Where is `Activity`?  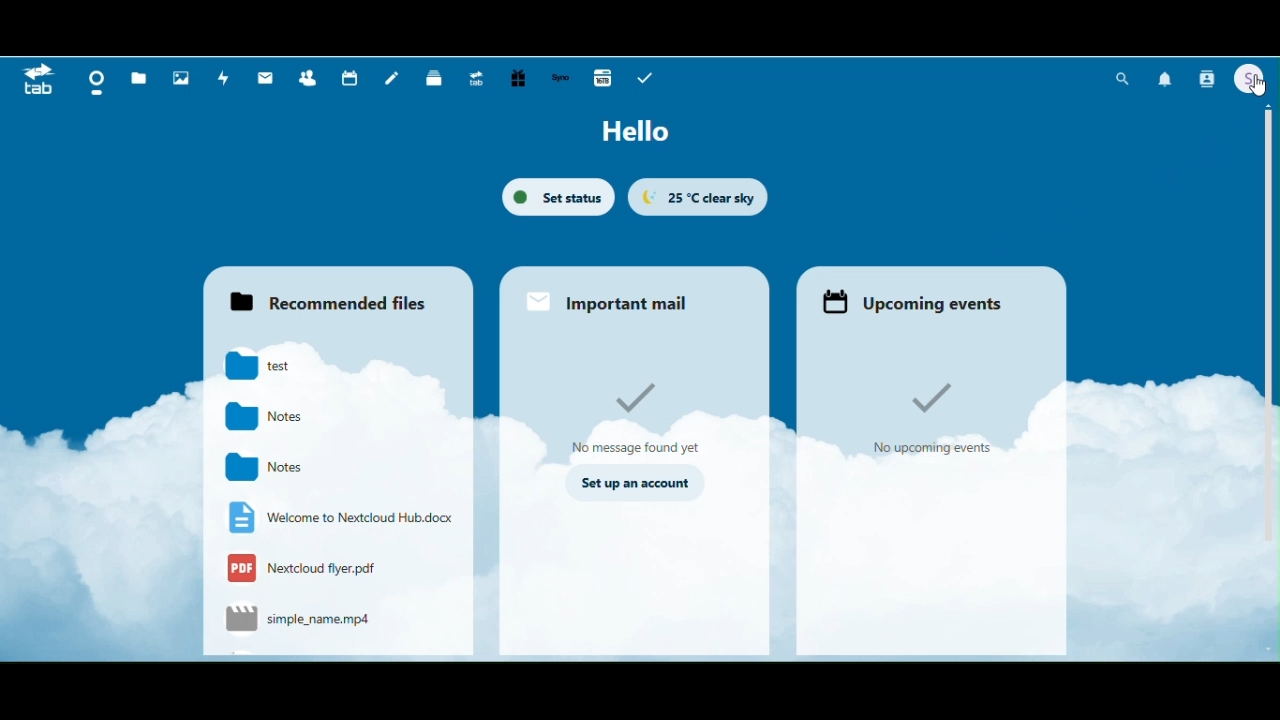
Activity is located at coordinates (223, 80).